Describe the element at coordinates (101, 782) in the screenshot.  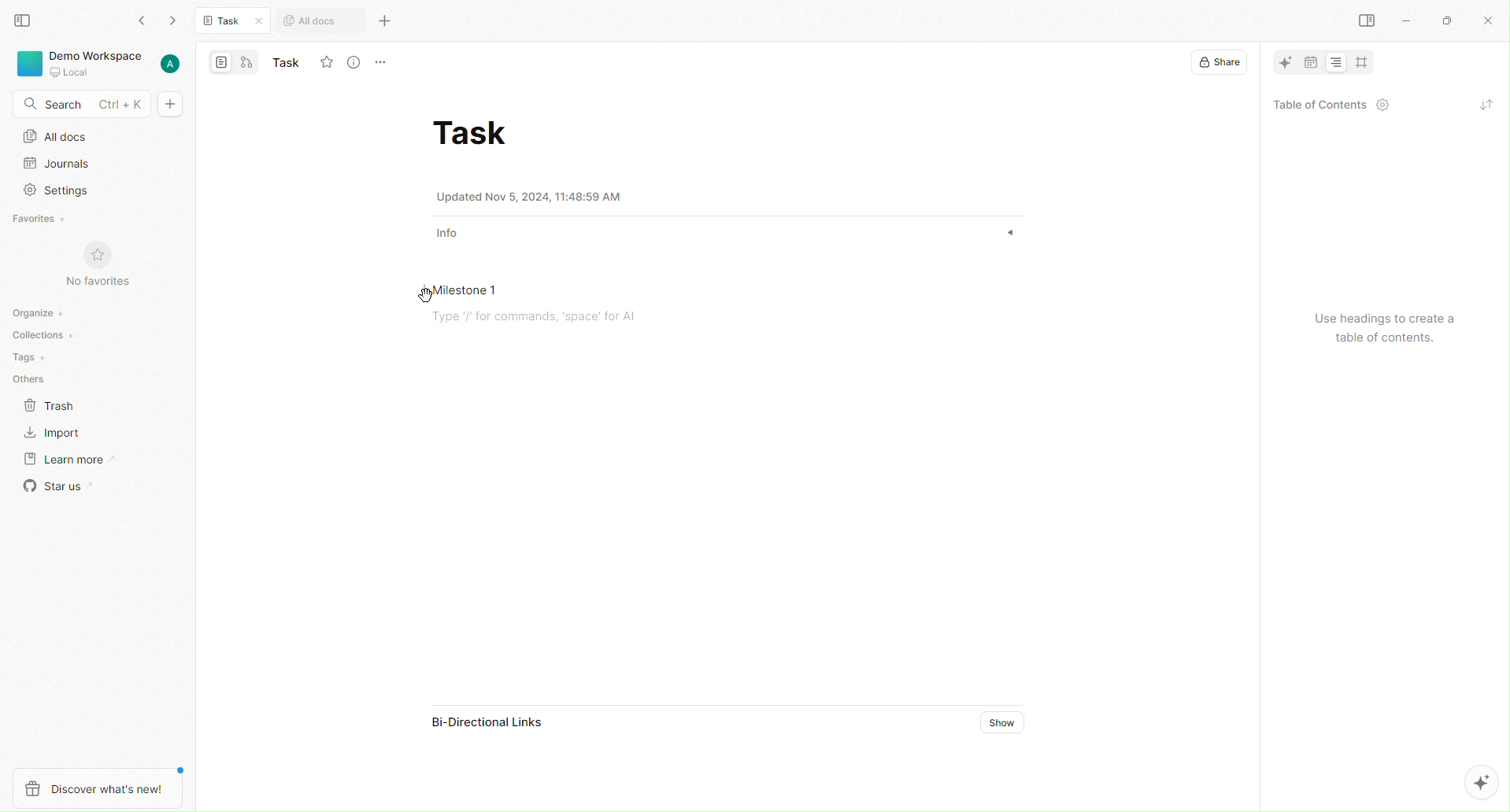
I see `Discover what's new!` at that location.